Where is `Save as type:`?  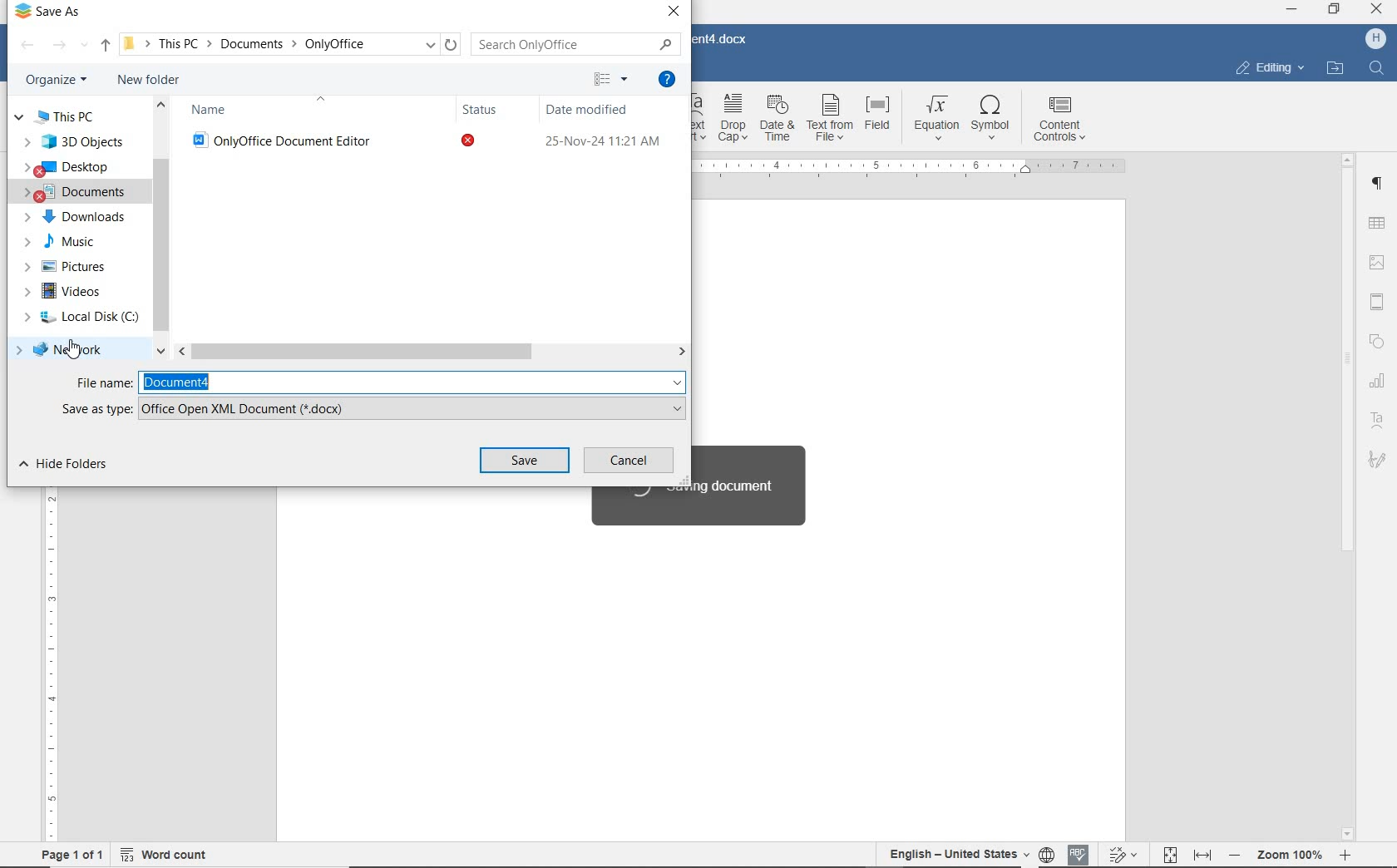 Save as type: is located at coordinates (92, 410).